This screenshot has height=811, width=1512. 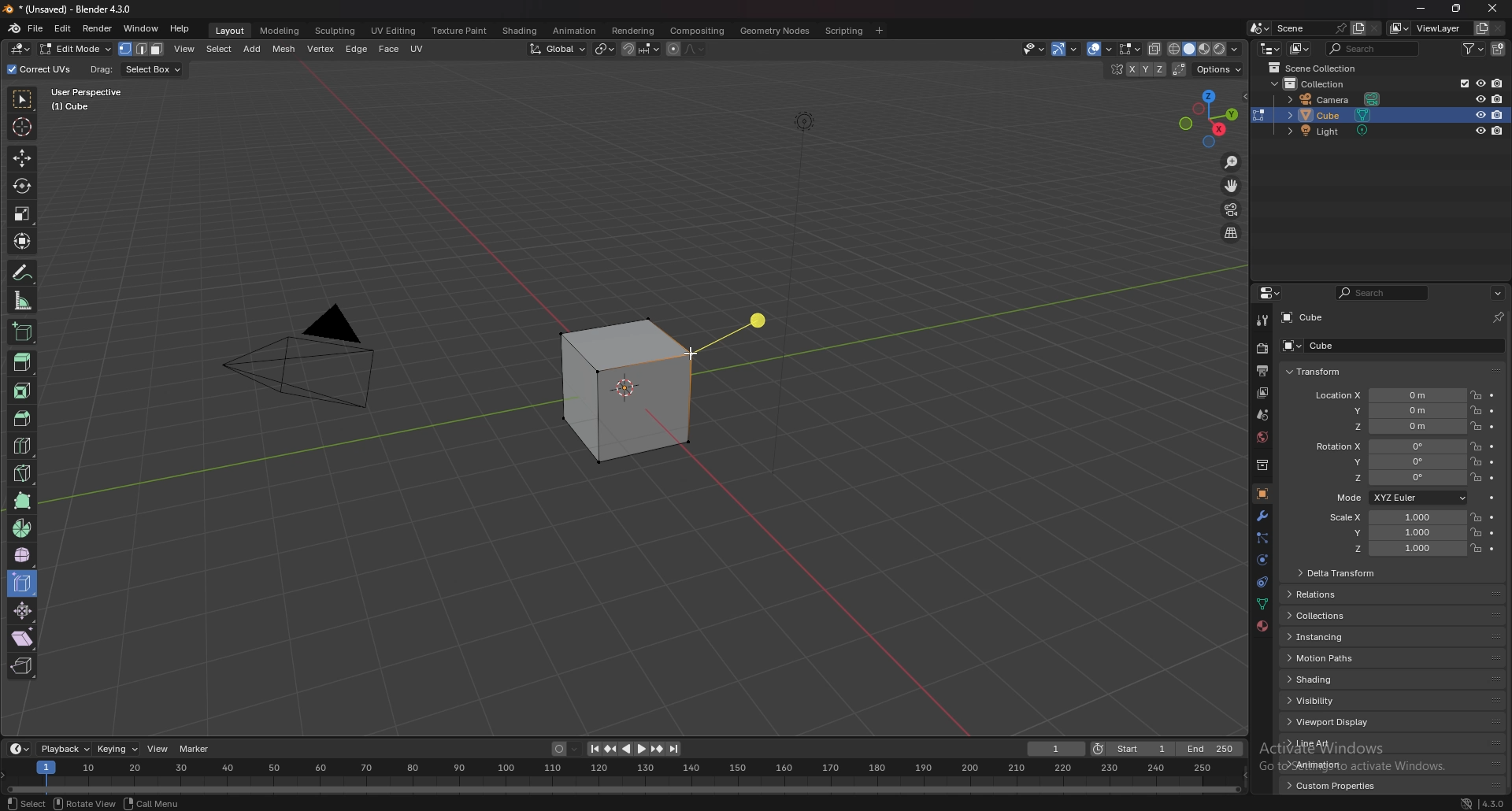 I want to click on tool, so click(x=1262, y=320).